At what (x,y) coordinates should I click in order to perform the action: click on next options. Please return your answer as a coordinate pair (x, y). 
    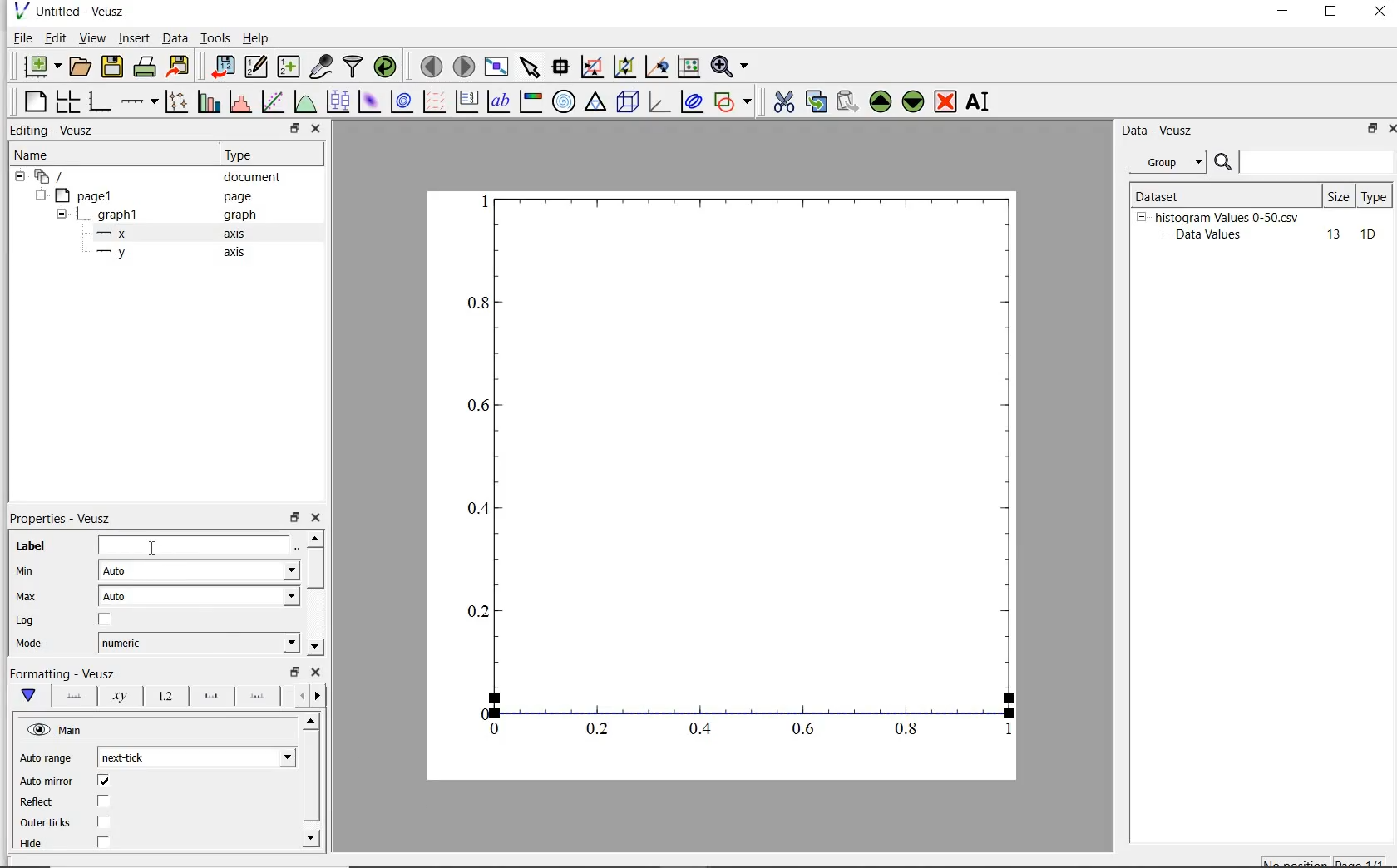
    Looking at the image, I should click on (319, 696).